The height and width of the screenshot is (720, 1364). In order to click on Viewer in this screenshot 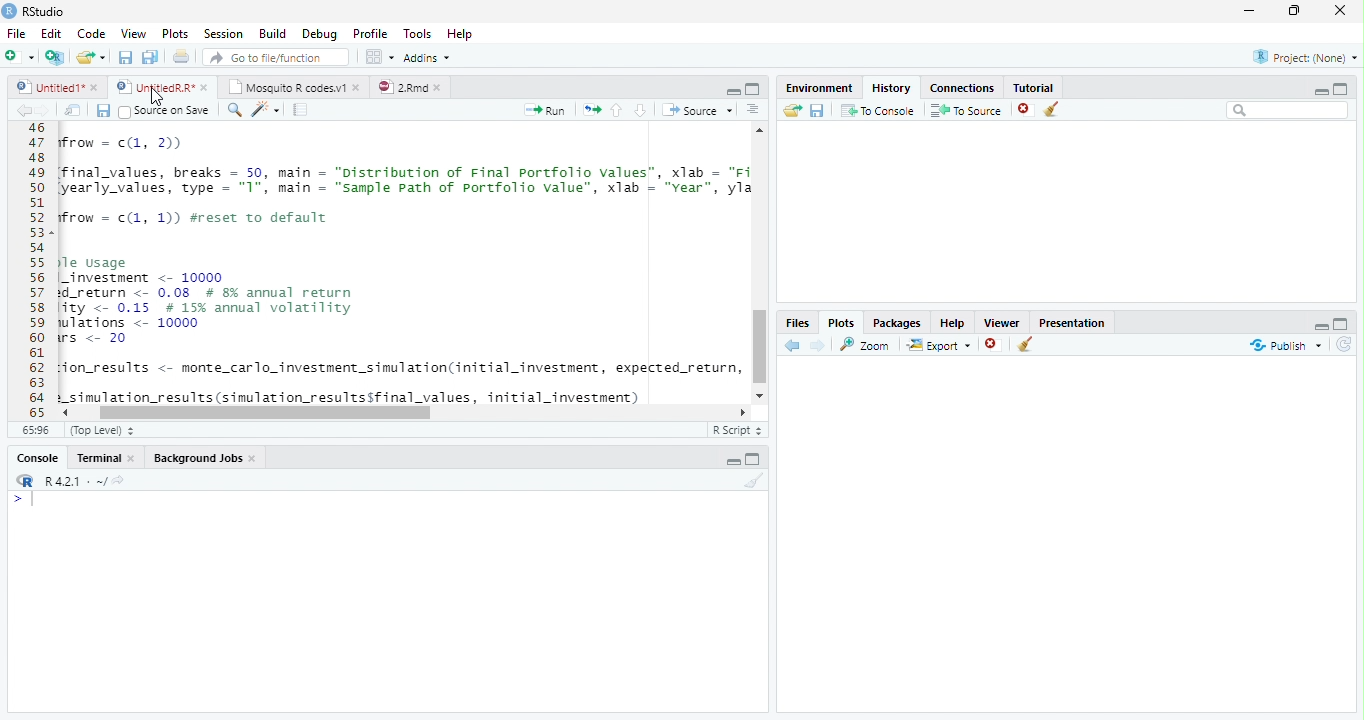, I will do `click(1003, 320)`.